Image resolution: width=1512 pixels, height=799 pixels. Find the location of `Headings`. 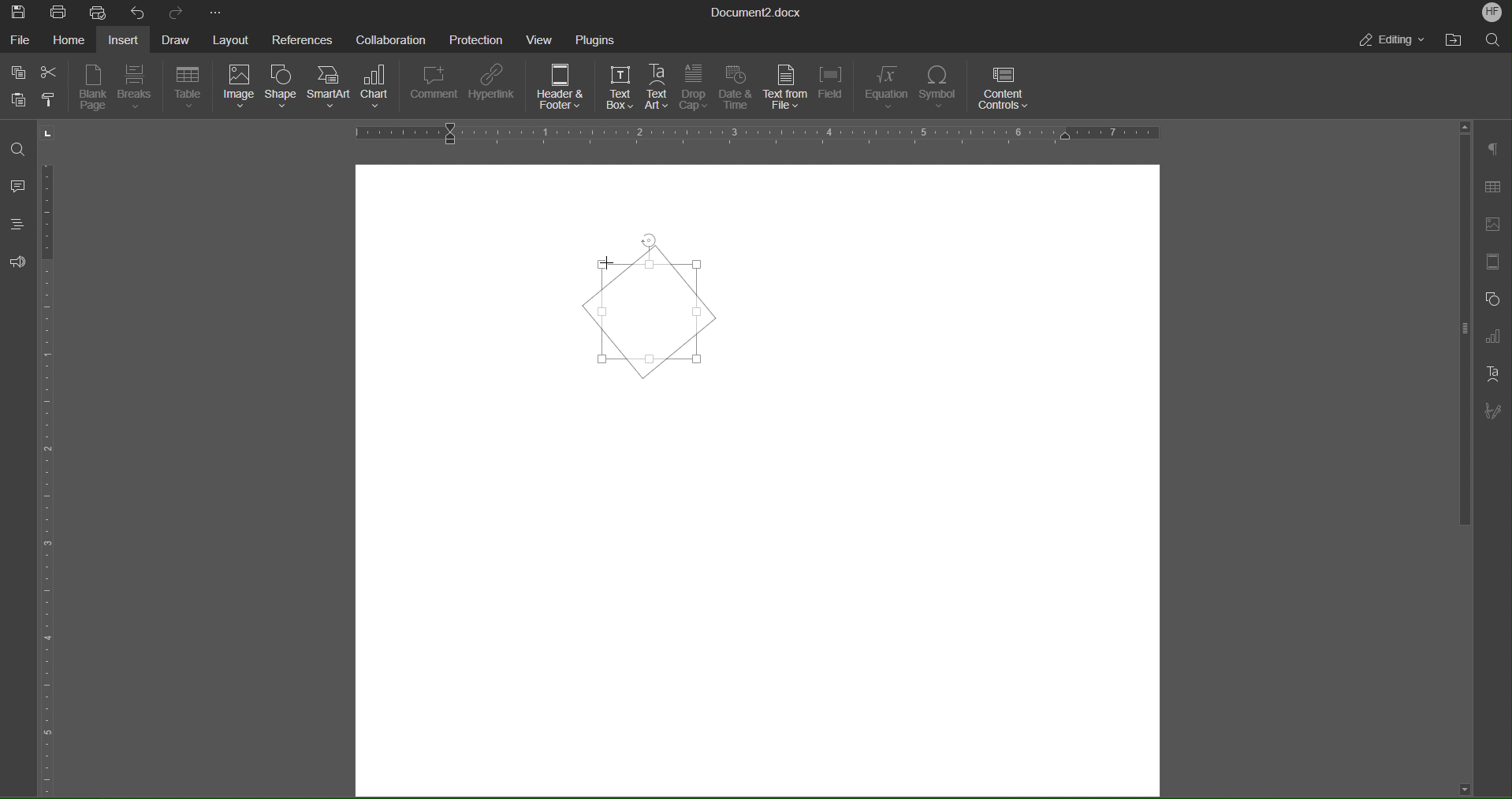

Headings is located at coordinates (16, 224).